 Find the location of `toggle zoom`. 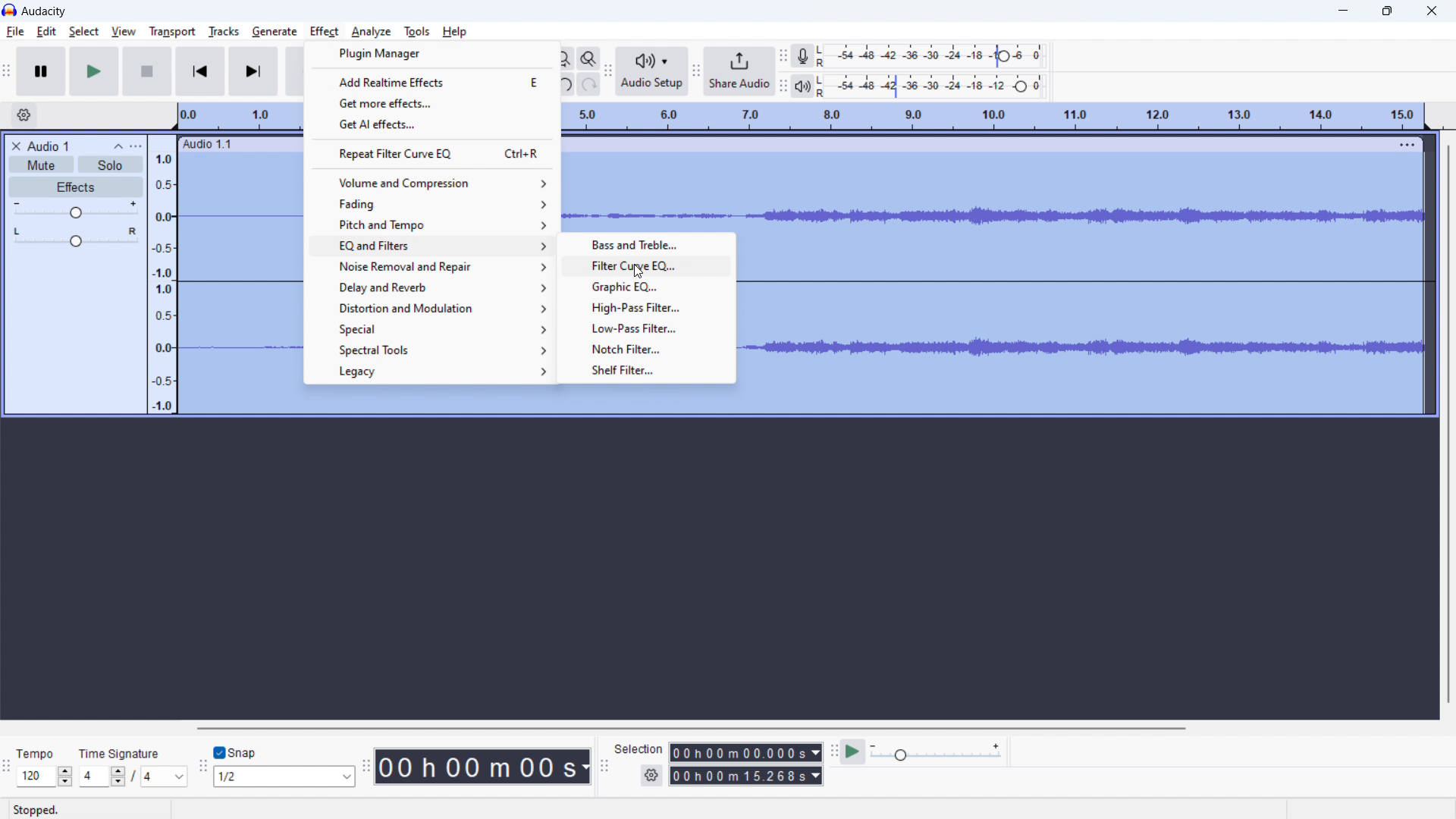

toggle zoom is located at coordinates (589, 59).